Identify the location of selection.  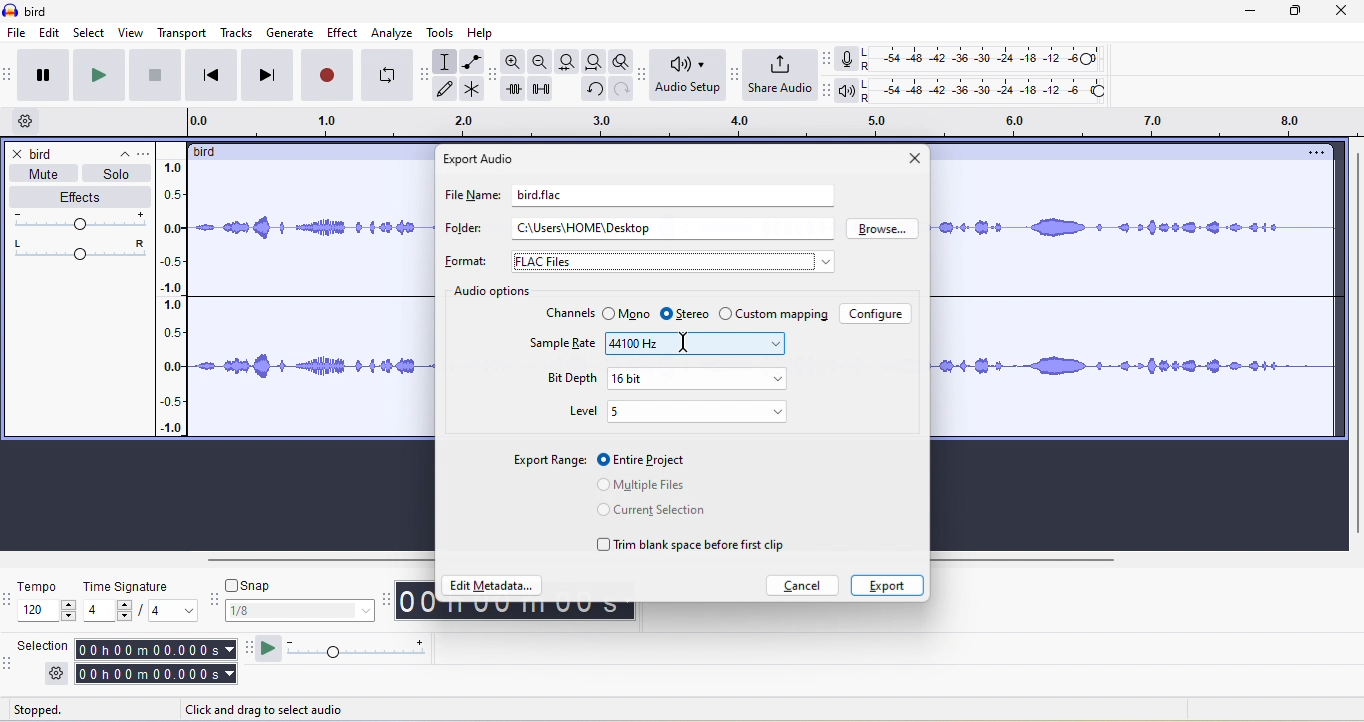
(43, 644).